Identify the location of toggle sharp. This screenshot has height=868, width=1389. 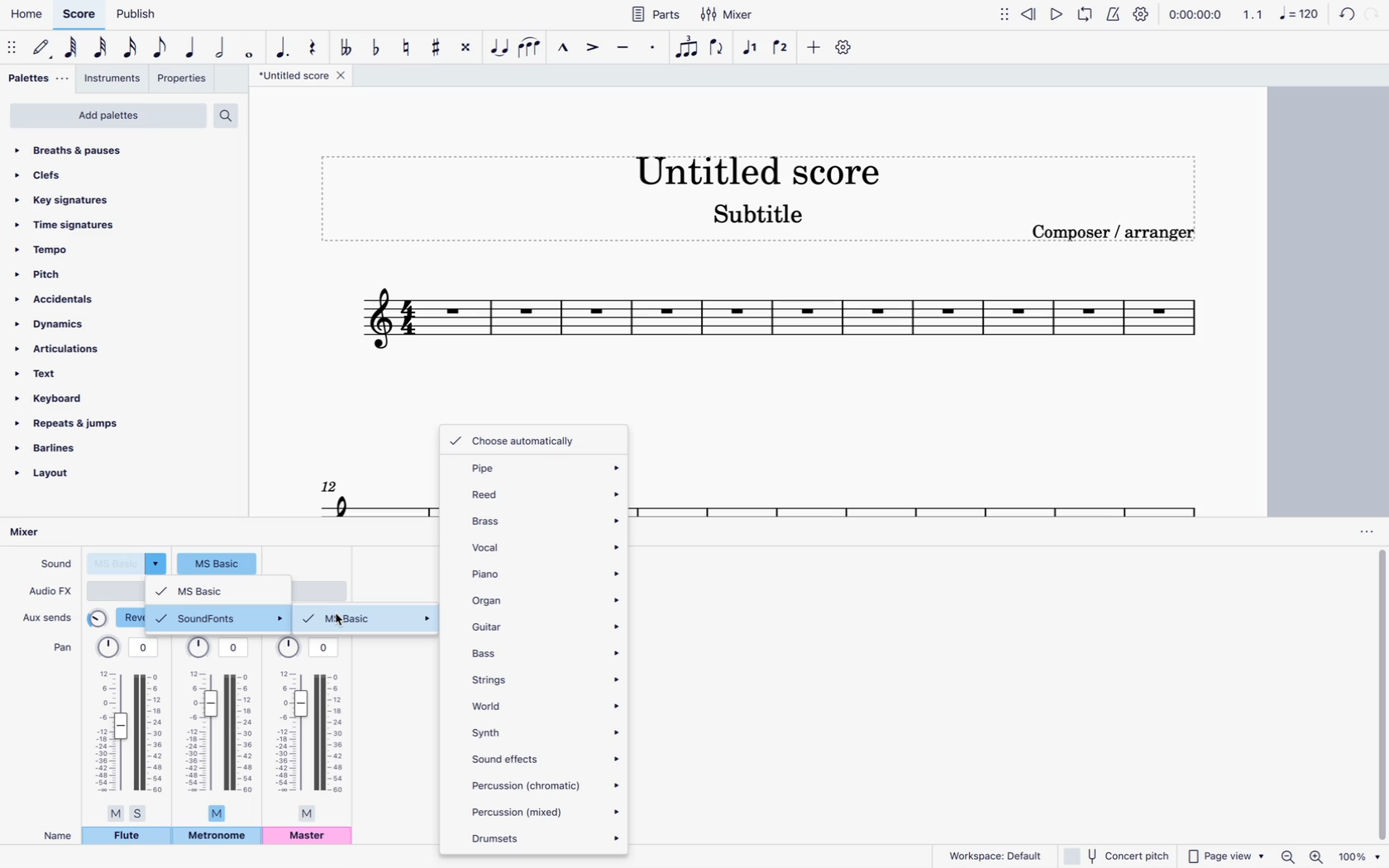
(439, 45).